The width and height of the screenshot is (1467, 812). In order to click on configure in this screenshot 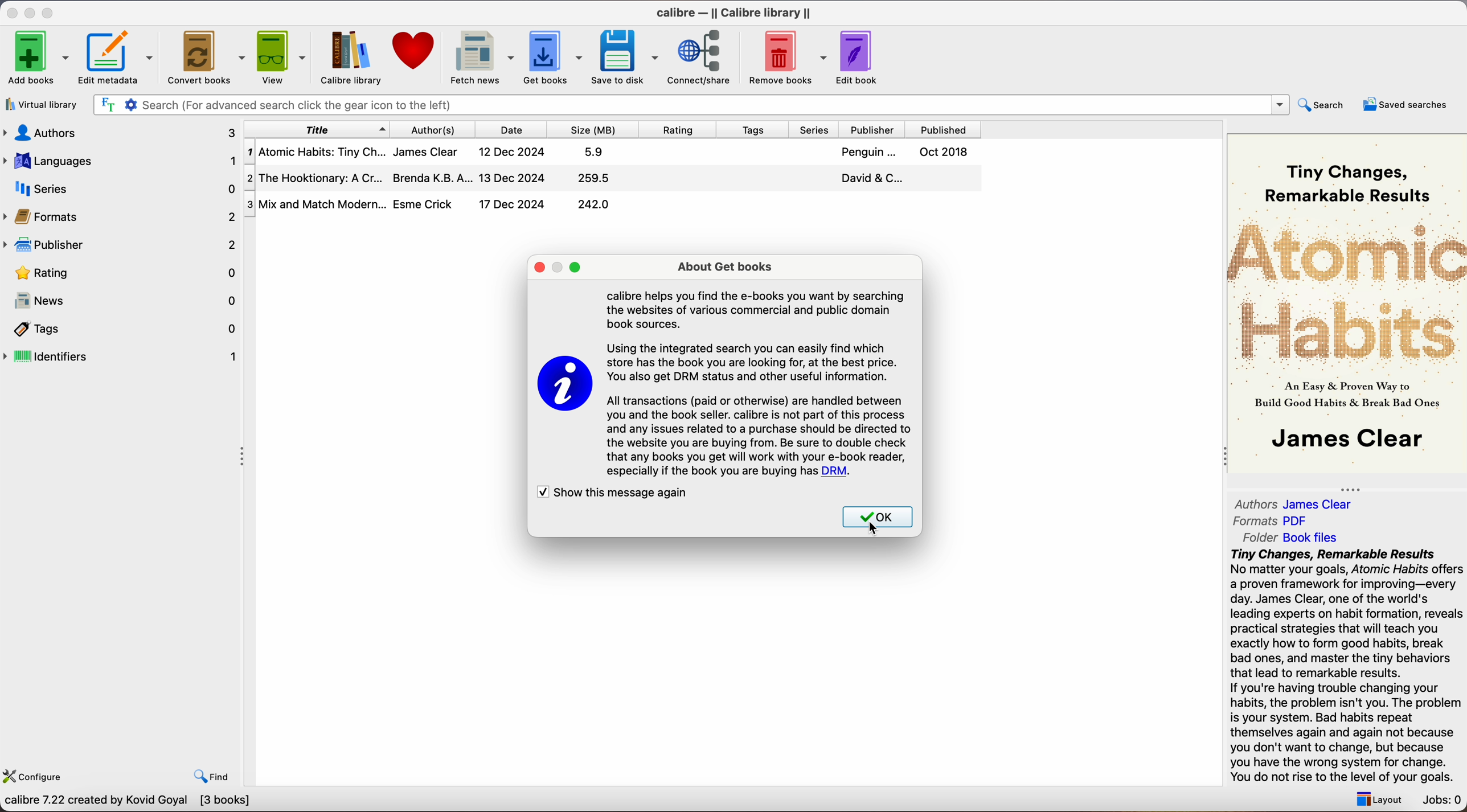, I will do `click(36, 774)`.